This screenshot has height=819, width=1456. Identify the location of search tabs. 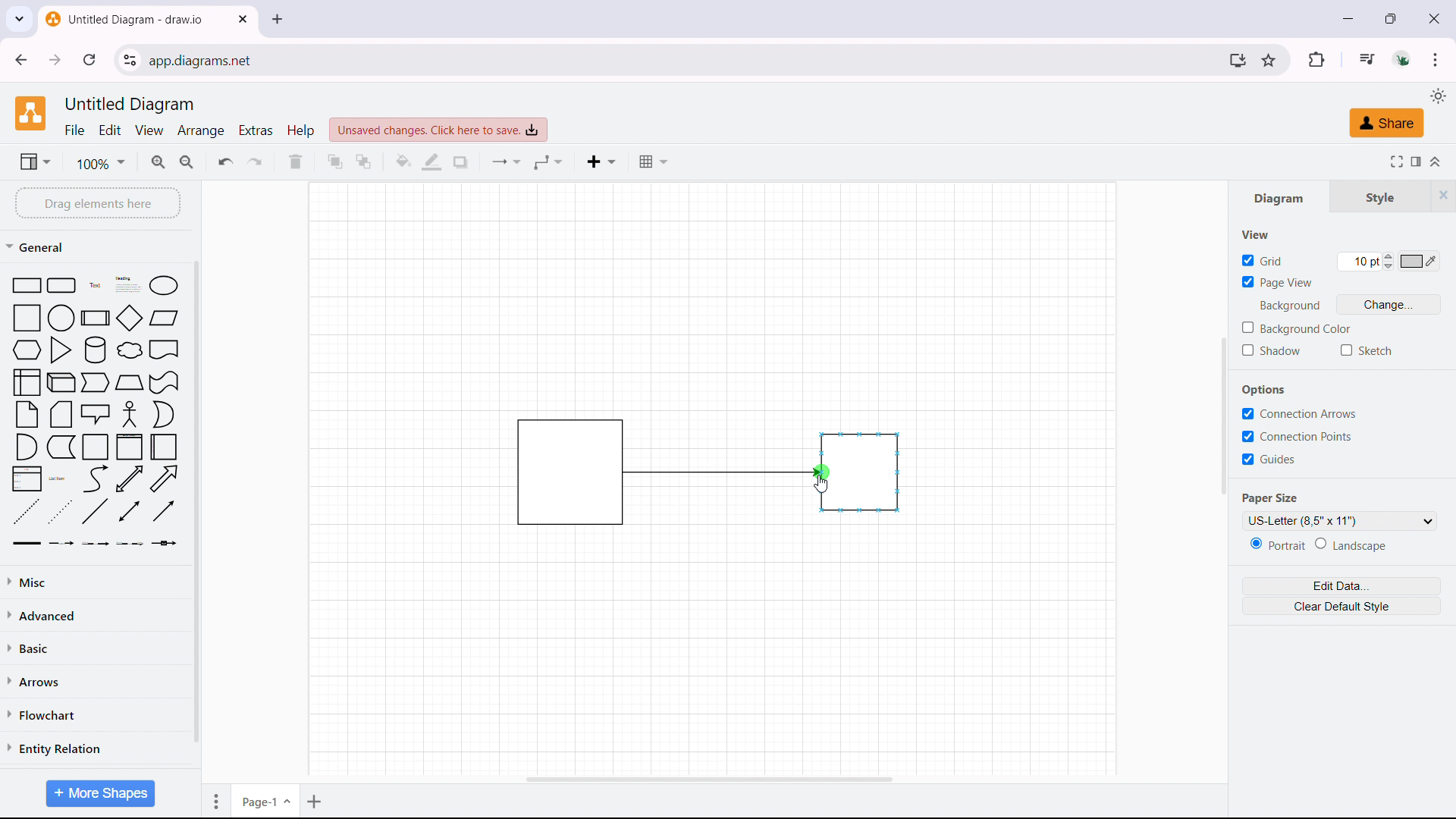
(19, 20).